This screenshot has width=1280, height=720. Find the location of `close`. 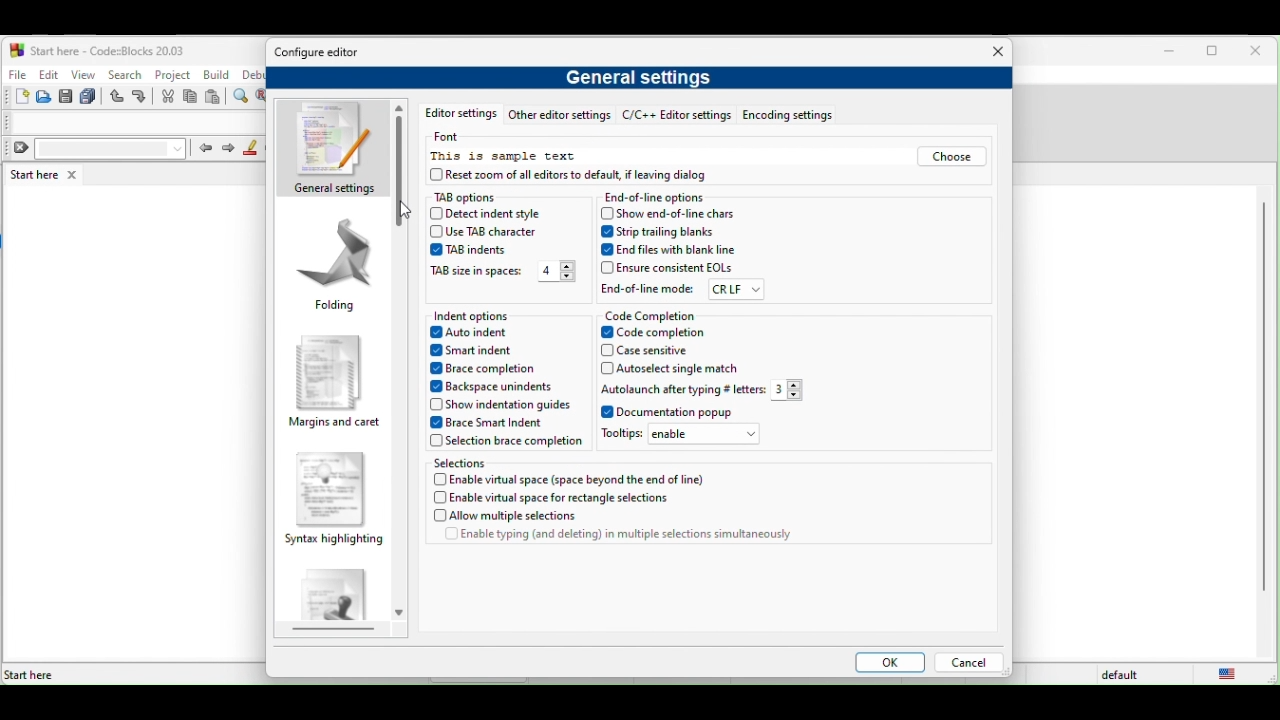

close is located at coordinates (993, 53).